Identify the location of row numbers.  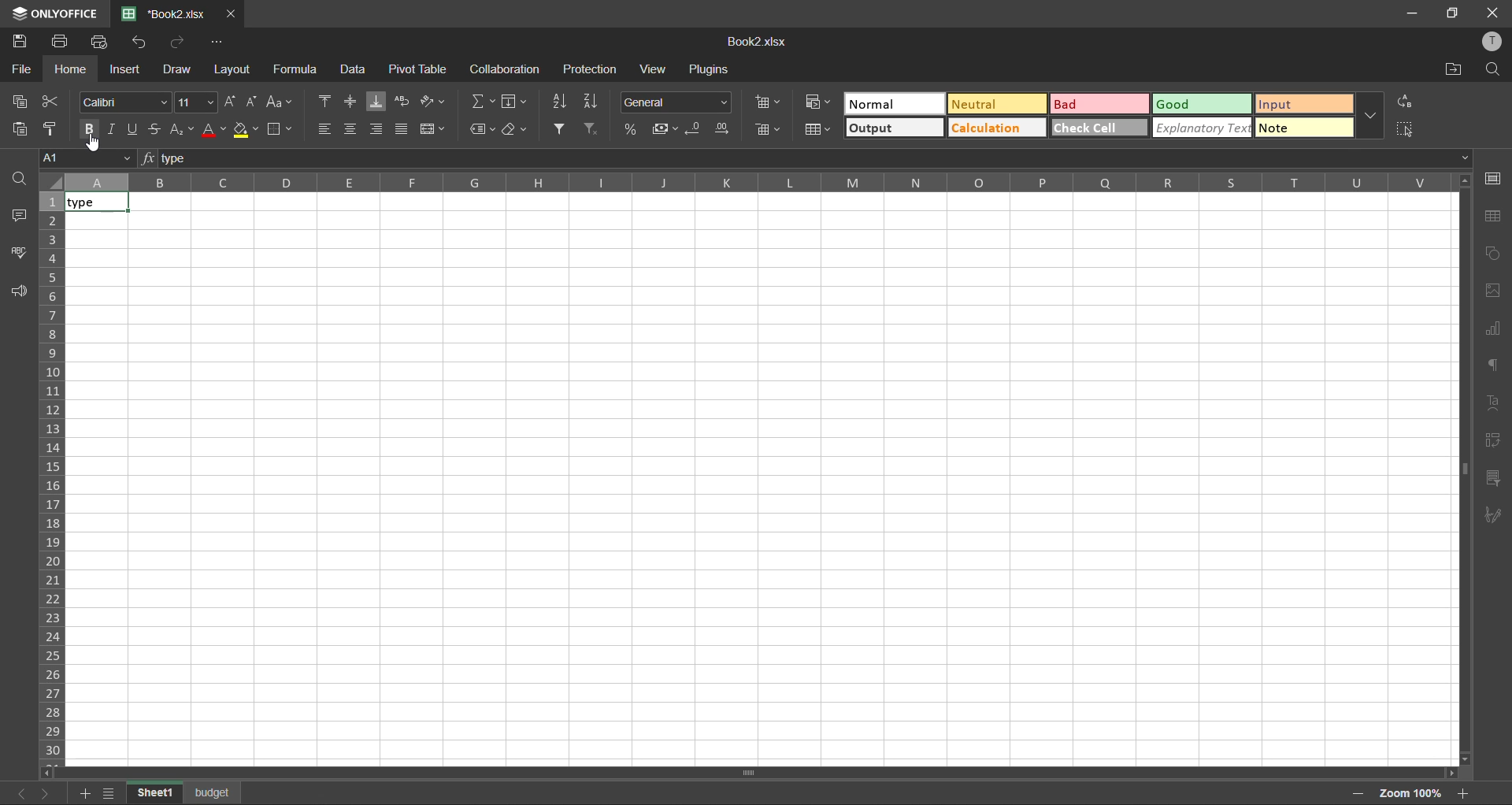
(51, 476).